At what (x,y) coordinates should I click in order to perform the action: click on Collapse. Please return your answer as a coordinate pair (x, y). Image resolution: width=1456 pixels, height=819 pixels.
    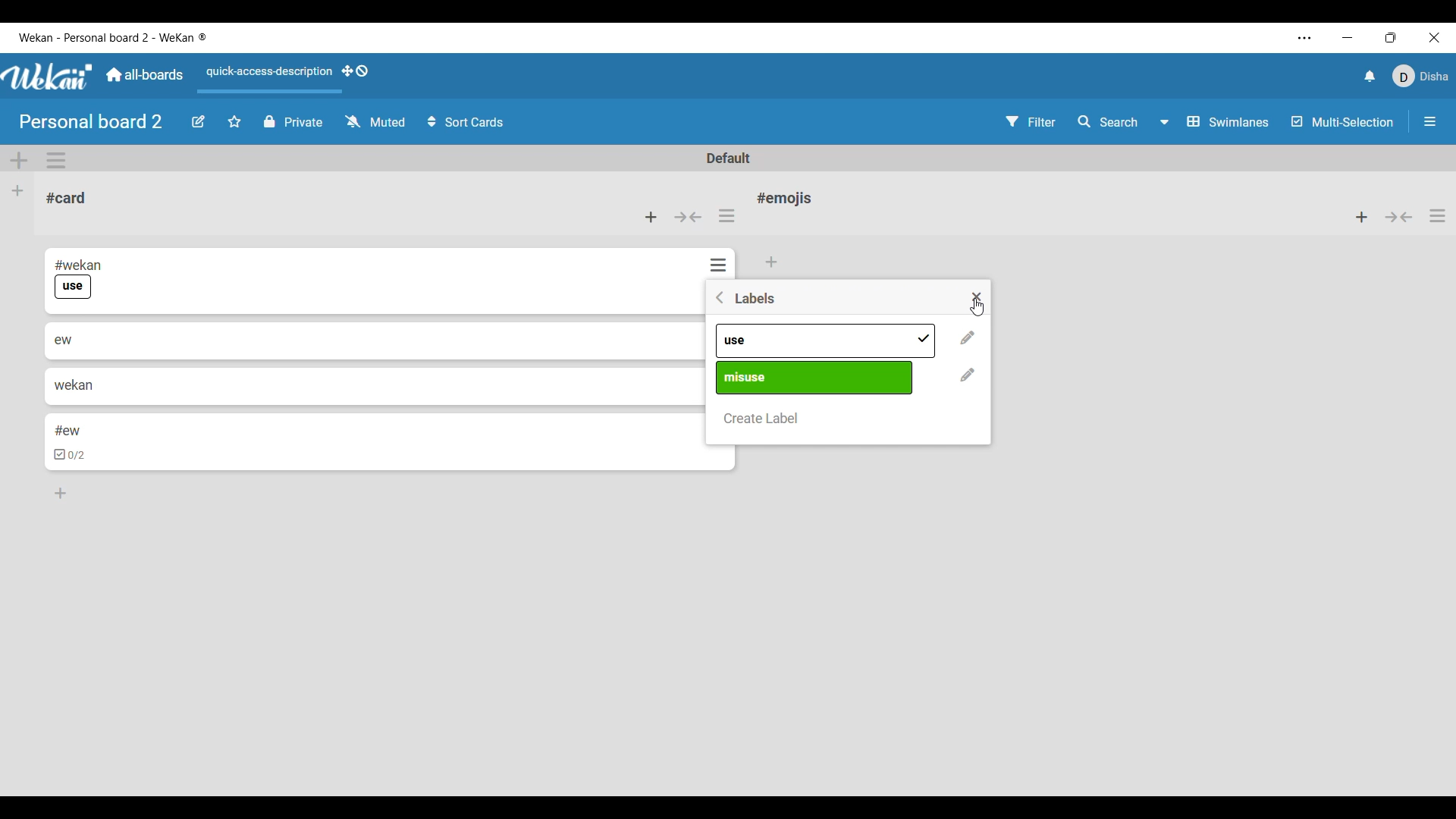
    Looking at the image, I should click on (1399, 217).